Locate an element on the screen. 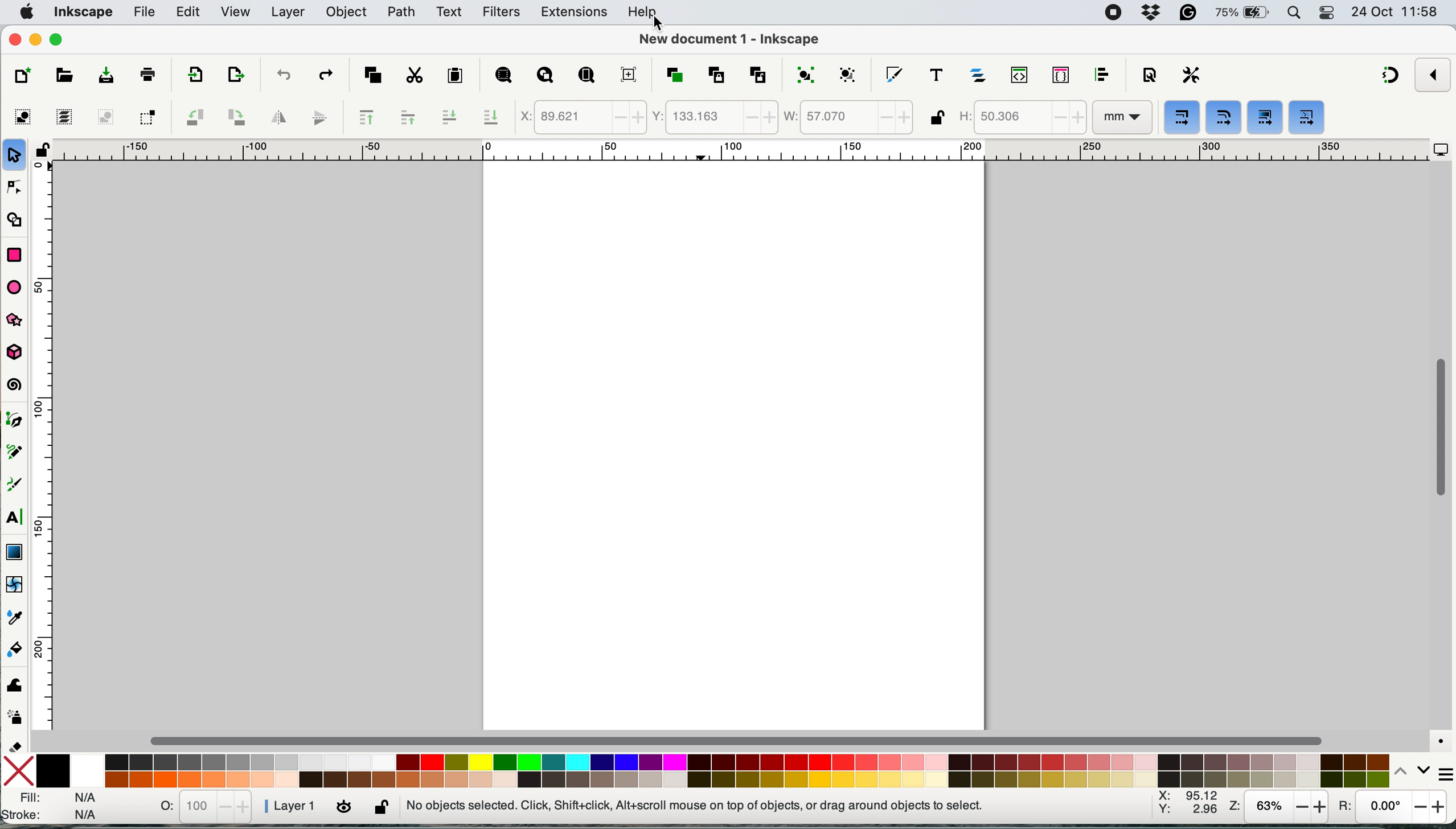 The height and width of the screenshot is (829, 1456). layer 1 is located at coordinates (291, 806).